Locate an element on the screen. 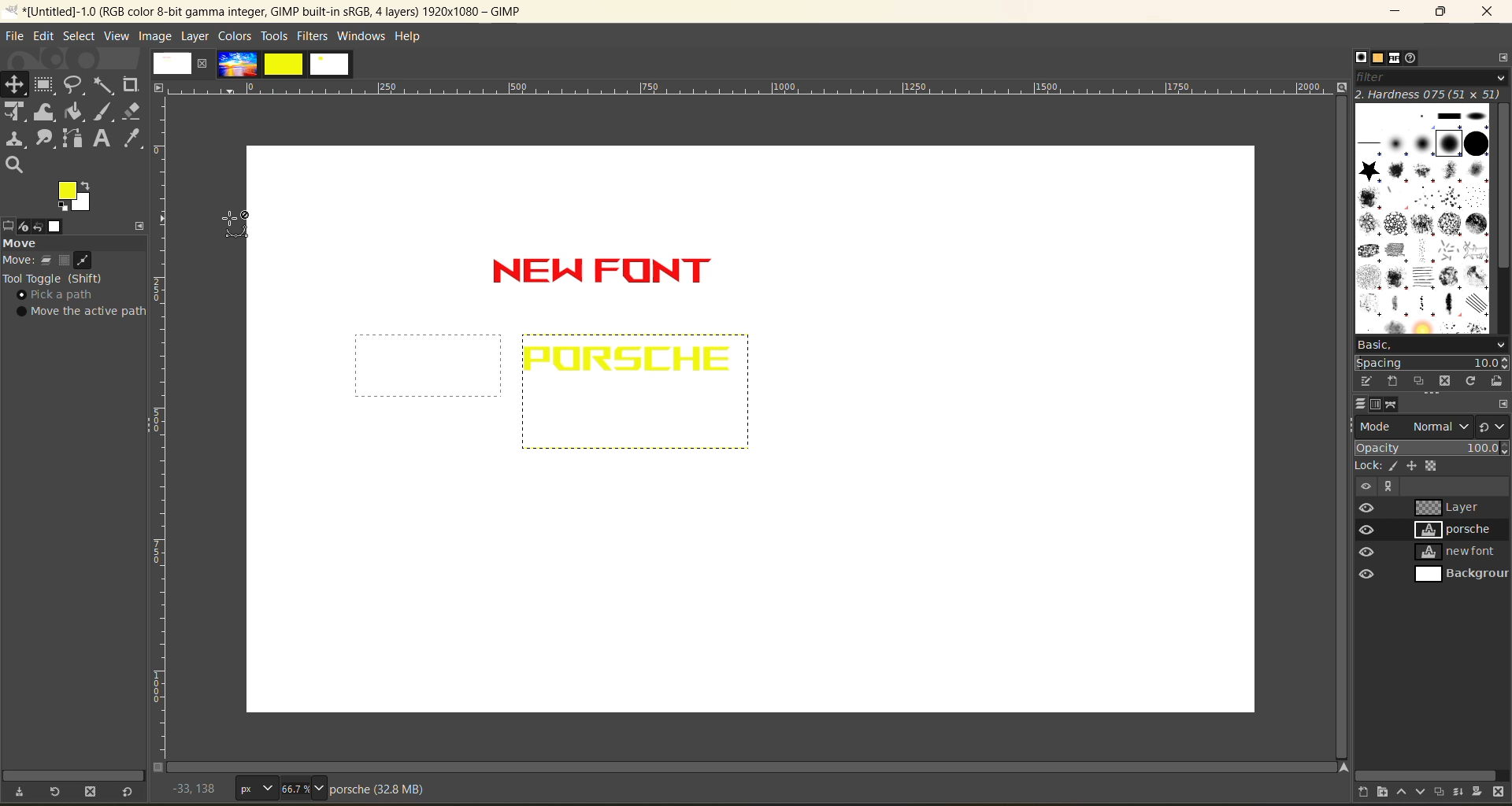  windows is located at coordinates (361, 37).